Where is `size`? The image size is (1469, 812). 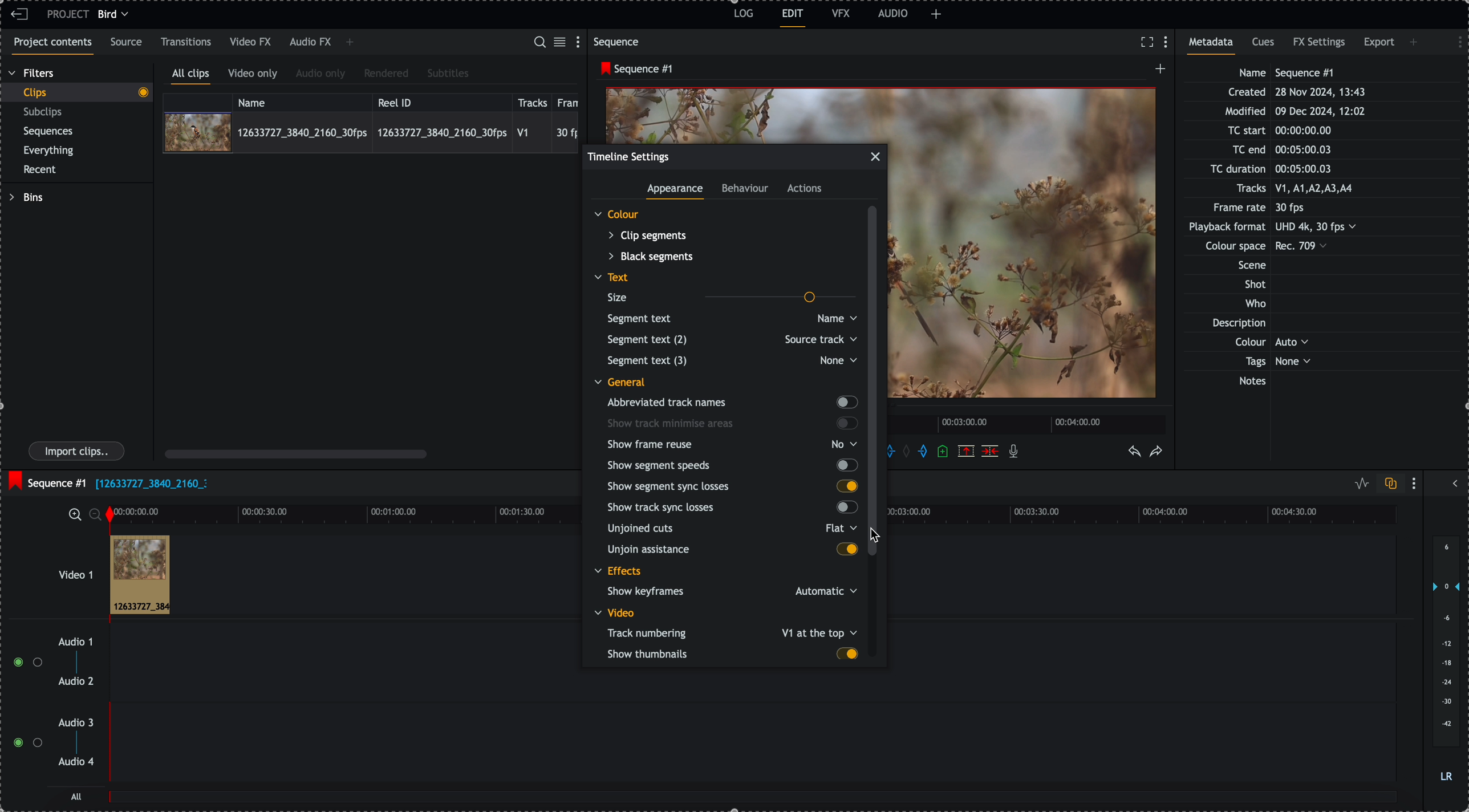
size is located at coordinates (728, 297).